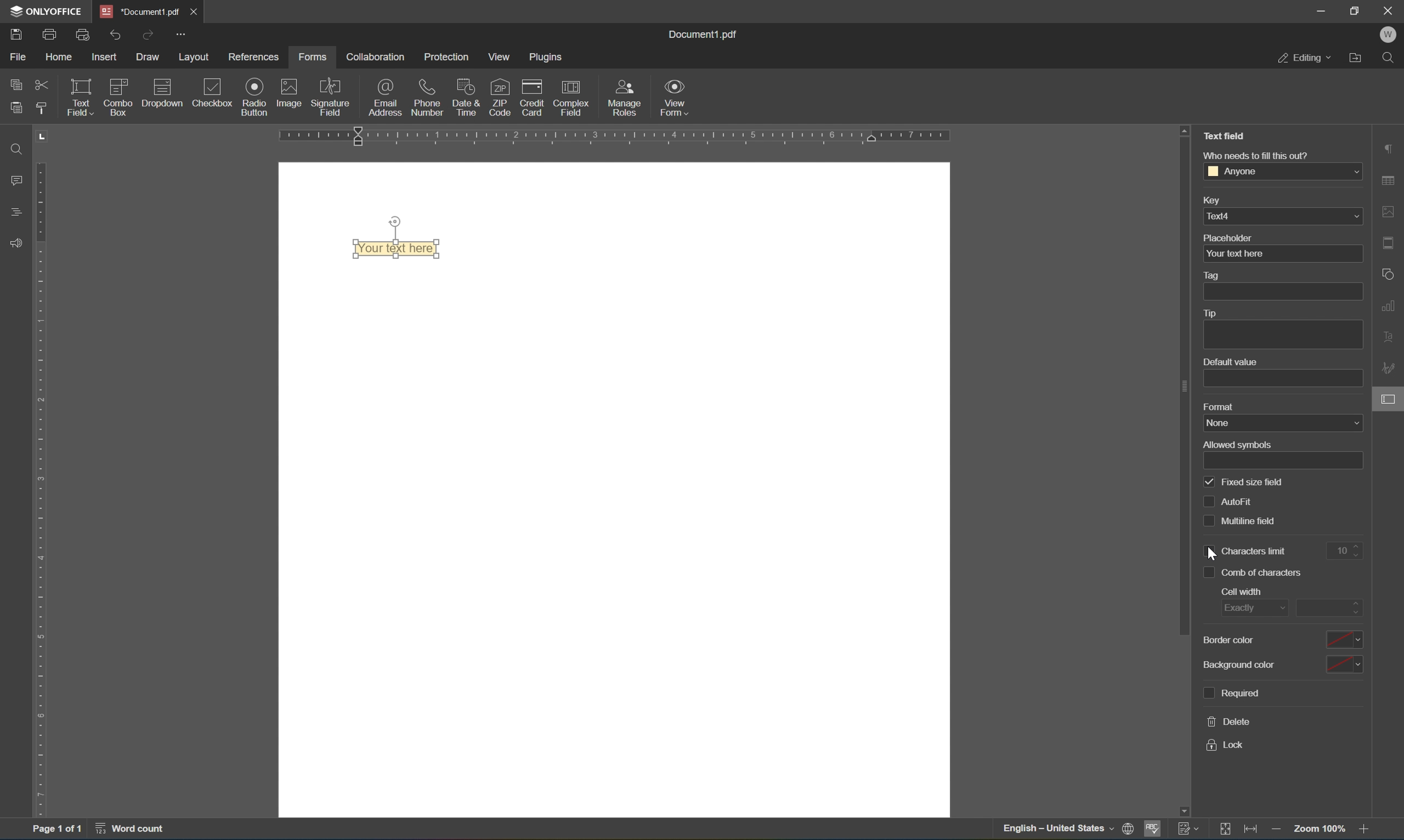  Describe the element at coordinates (1307, 58) in the screenshot. I see `editing` at that location.